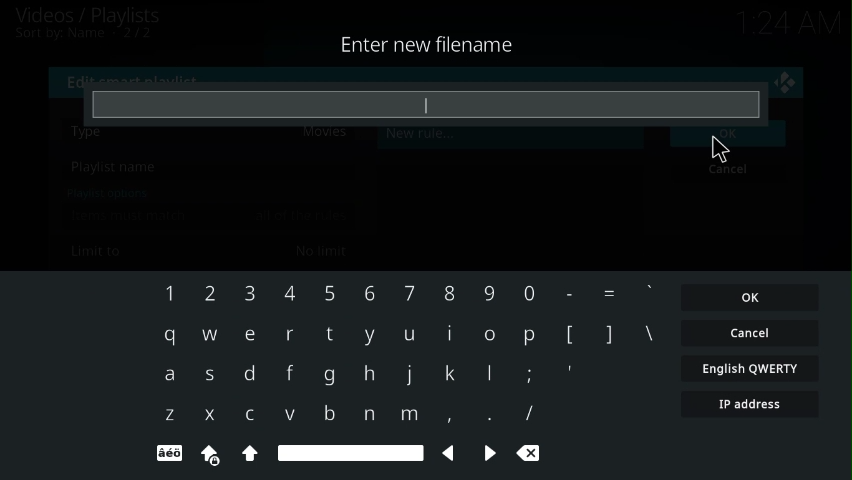 The image size is (852, 480). Describe the element at coordinates (207, 376) in the screenshot. I see `s` at that location.